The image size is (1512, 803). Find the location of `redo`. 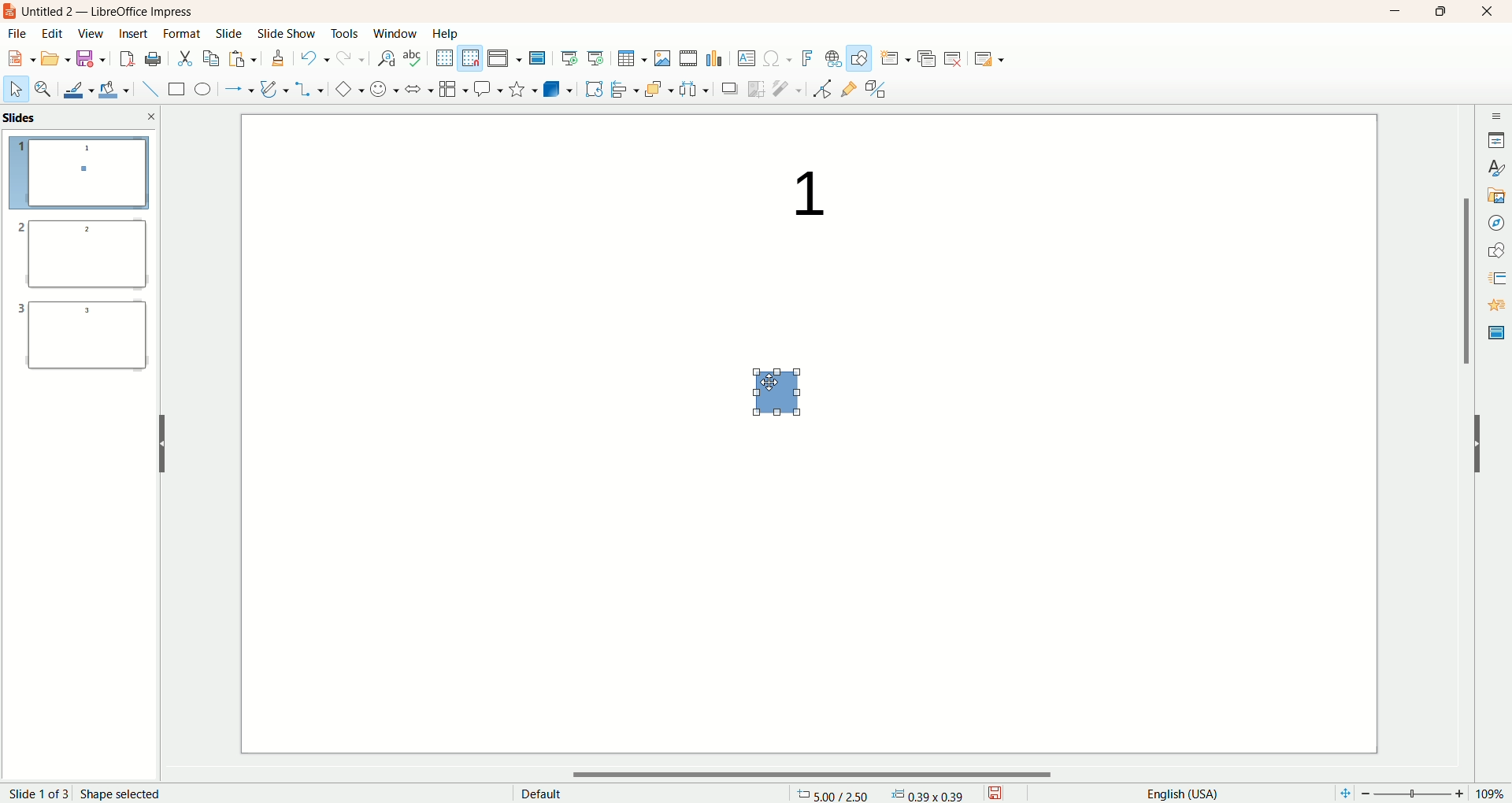

redo is located at coordinates (348, 61).